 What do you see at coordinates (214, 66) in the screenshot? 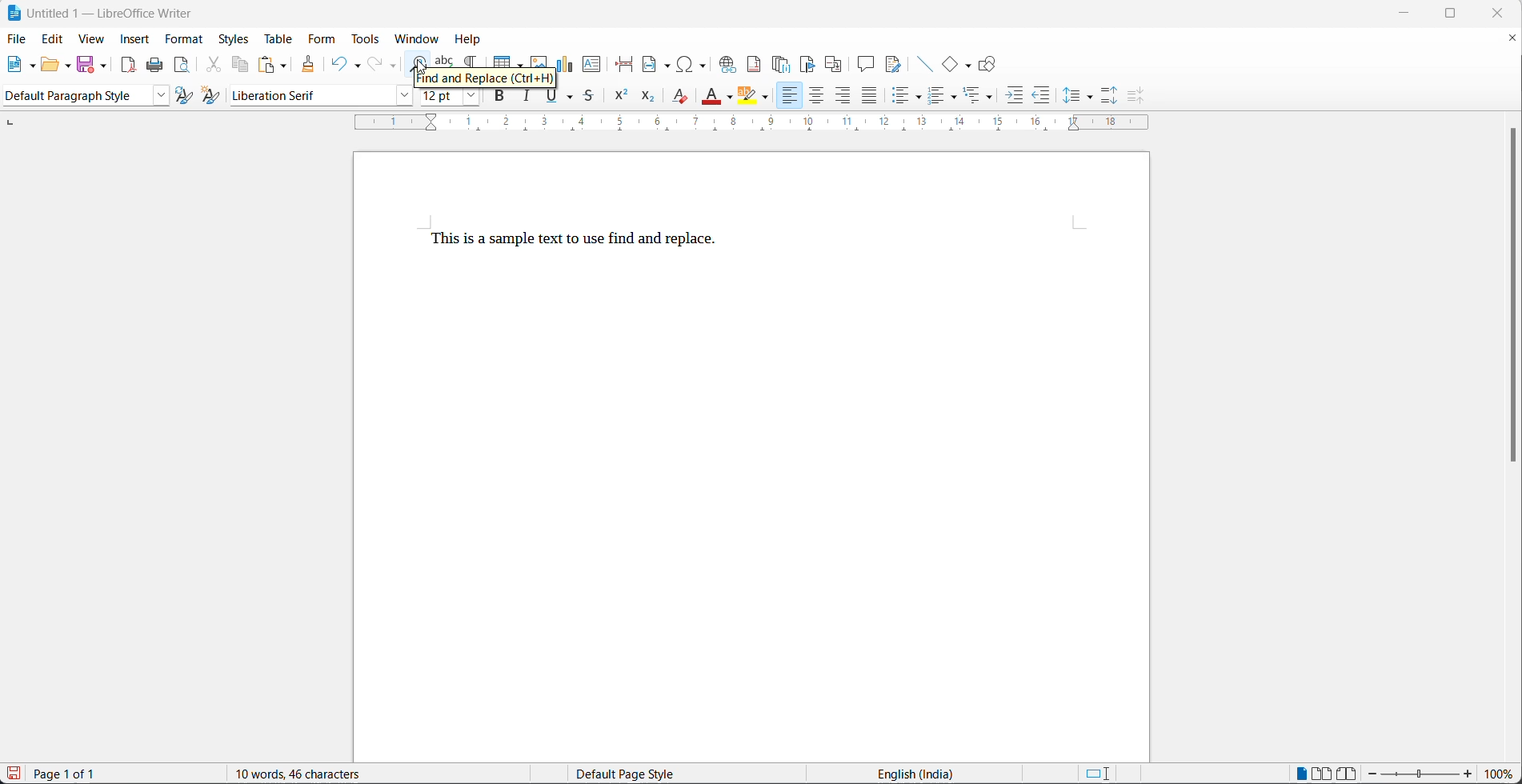
I see `cut` at bounding box center [214, 66].